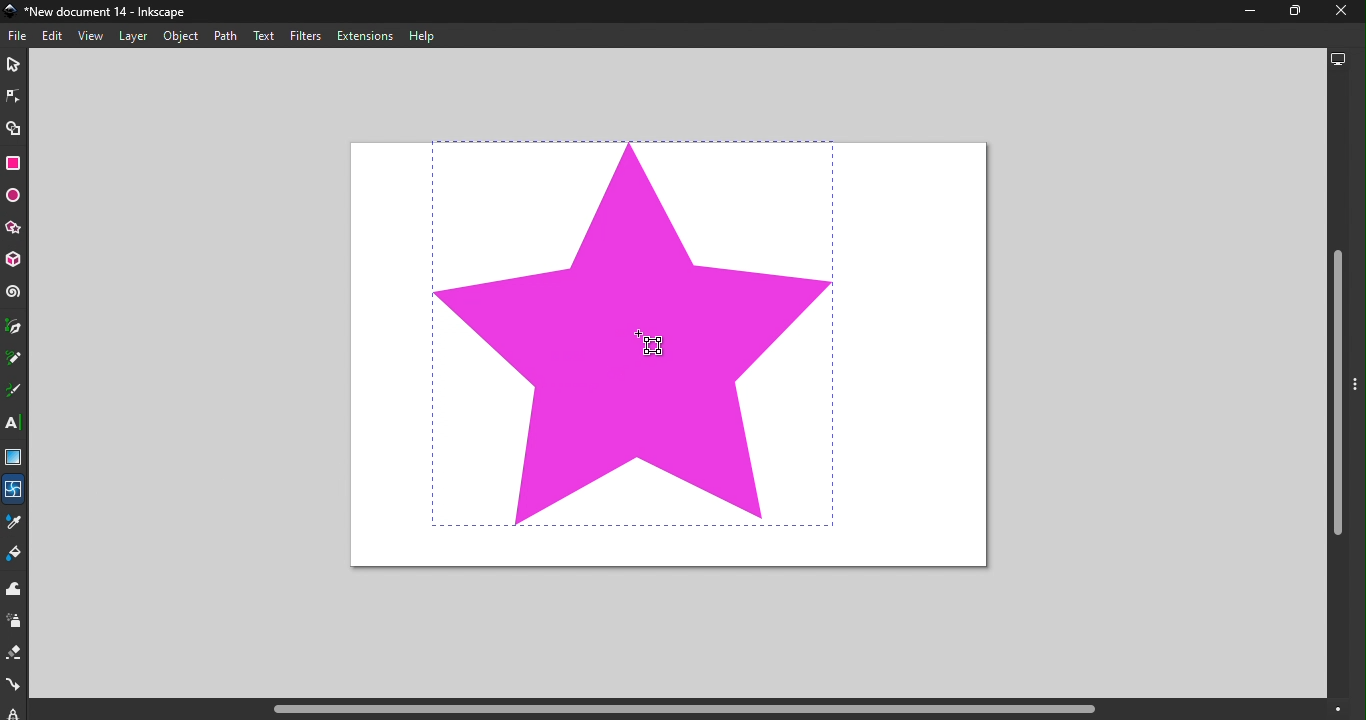  Describe the element at coordinates (13, 165) in the screenshot. I see `Rectangle tool` at that location.